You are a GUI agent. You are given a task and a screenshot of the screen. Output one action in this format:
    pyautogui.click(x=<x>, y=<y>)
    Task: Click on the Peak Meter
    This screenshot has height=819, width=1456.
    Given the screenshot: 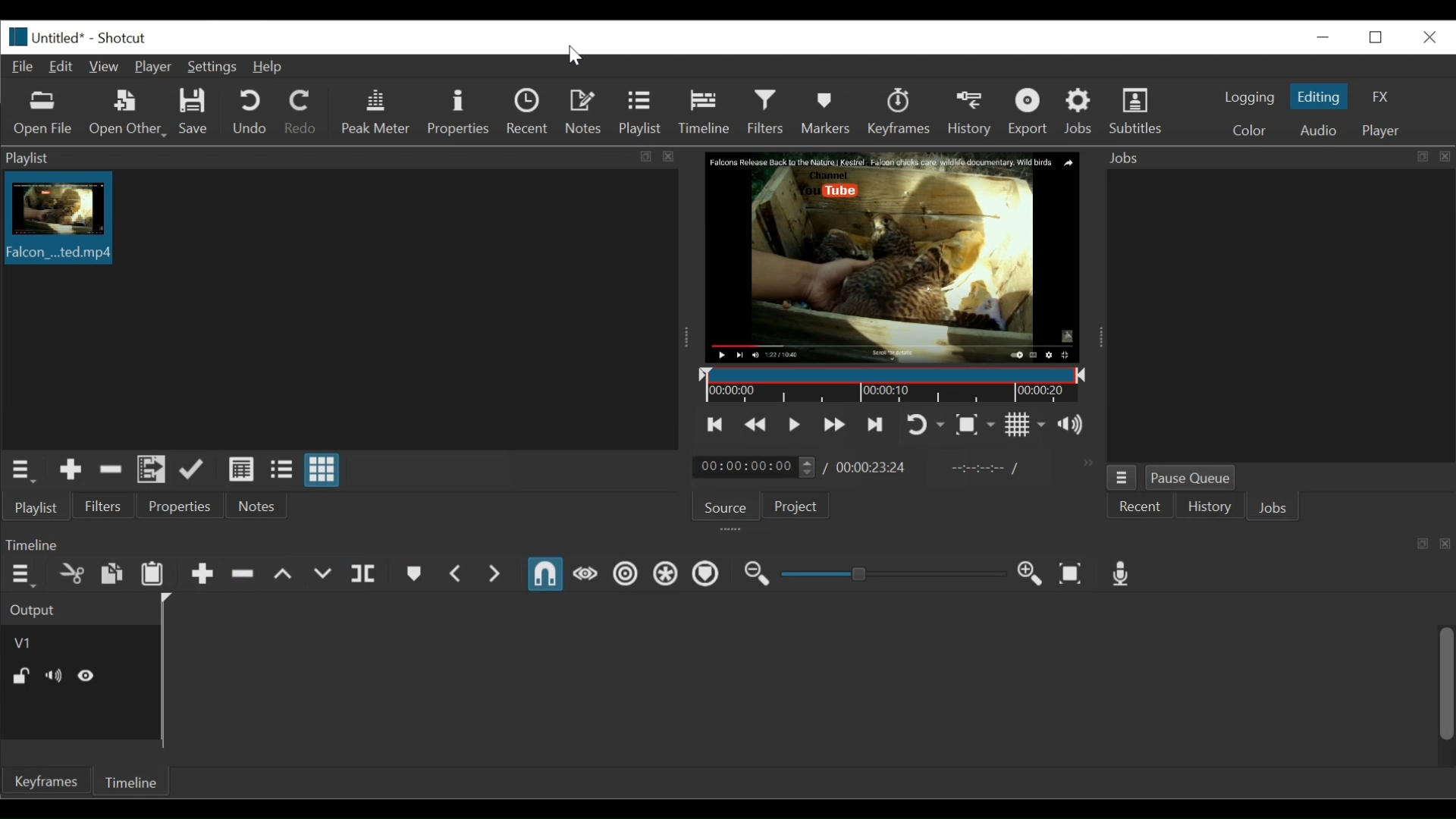 What is the action you would take?
    pyautogui.click(x=377, y=112)
    